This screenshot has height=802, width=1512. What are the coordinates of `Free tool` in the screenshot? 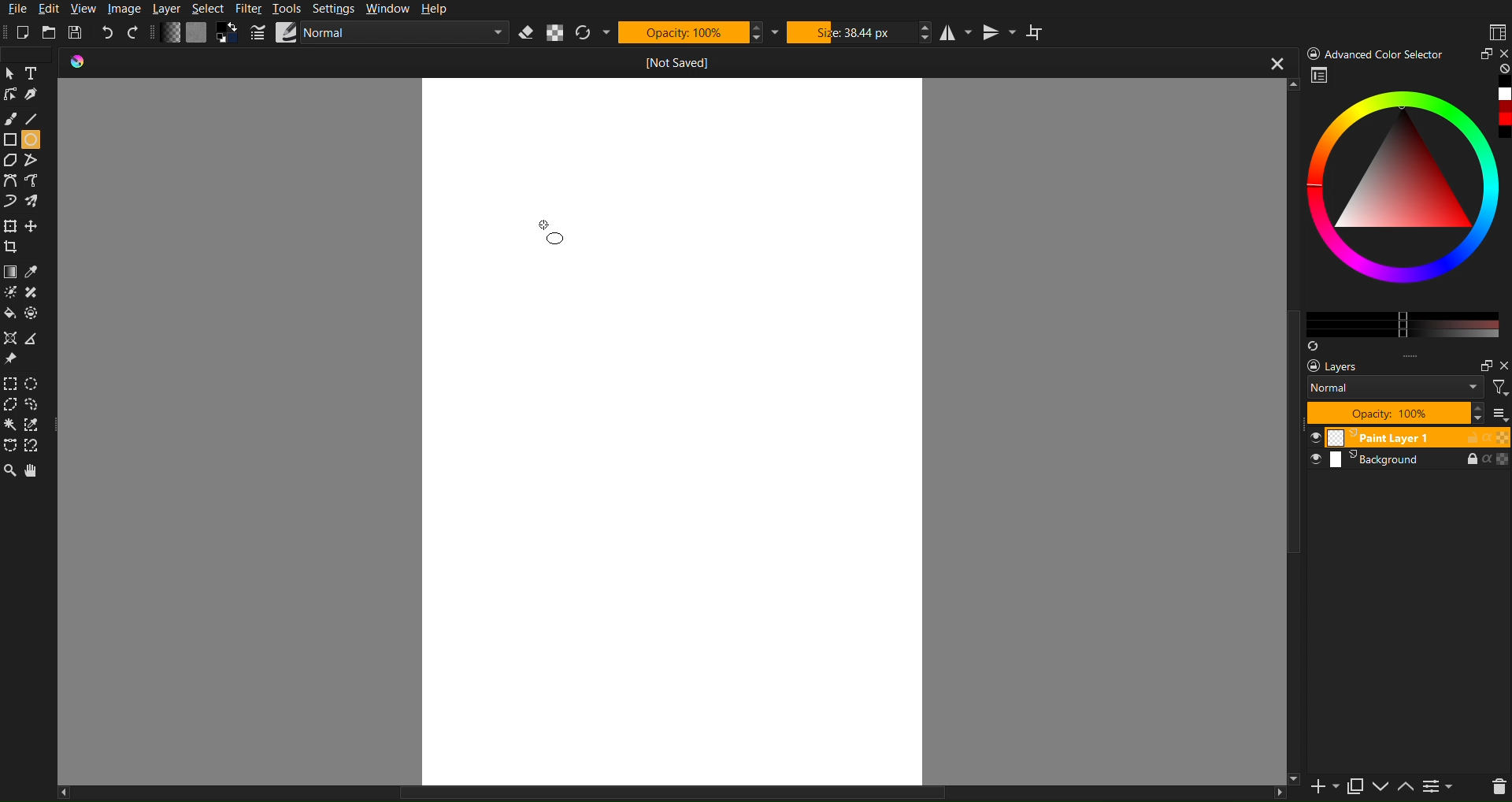 It's located at (35, 446).